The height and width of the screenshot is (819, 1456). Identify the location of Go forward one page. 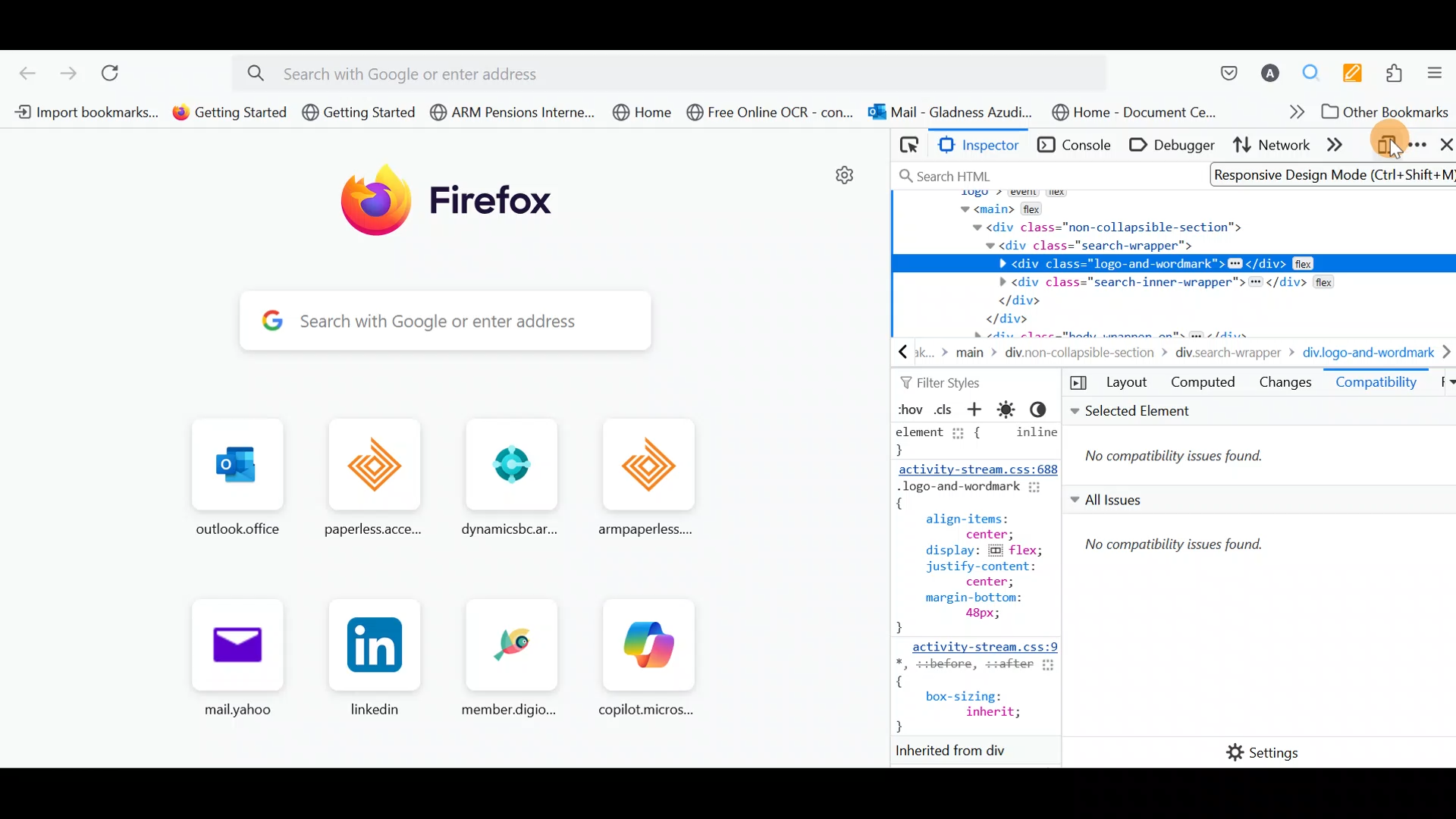
(67, 71).